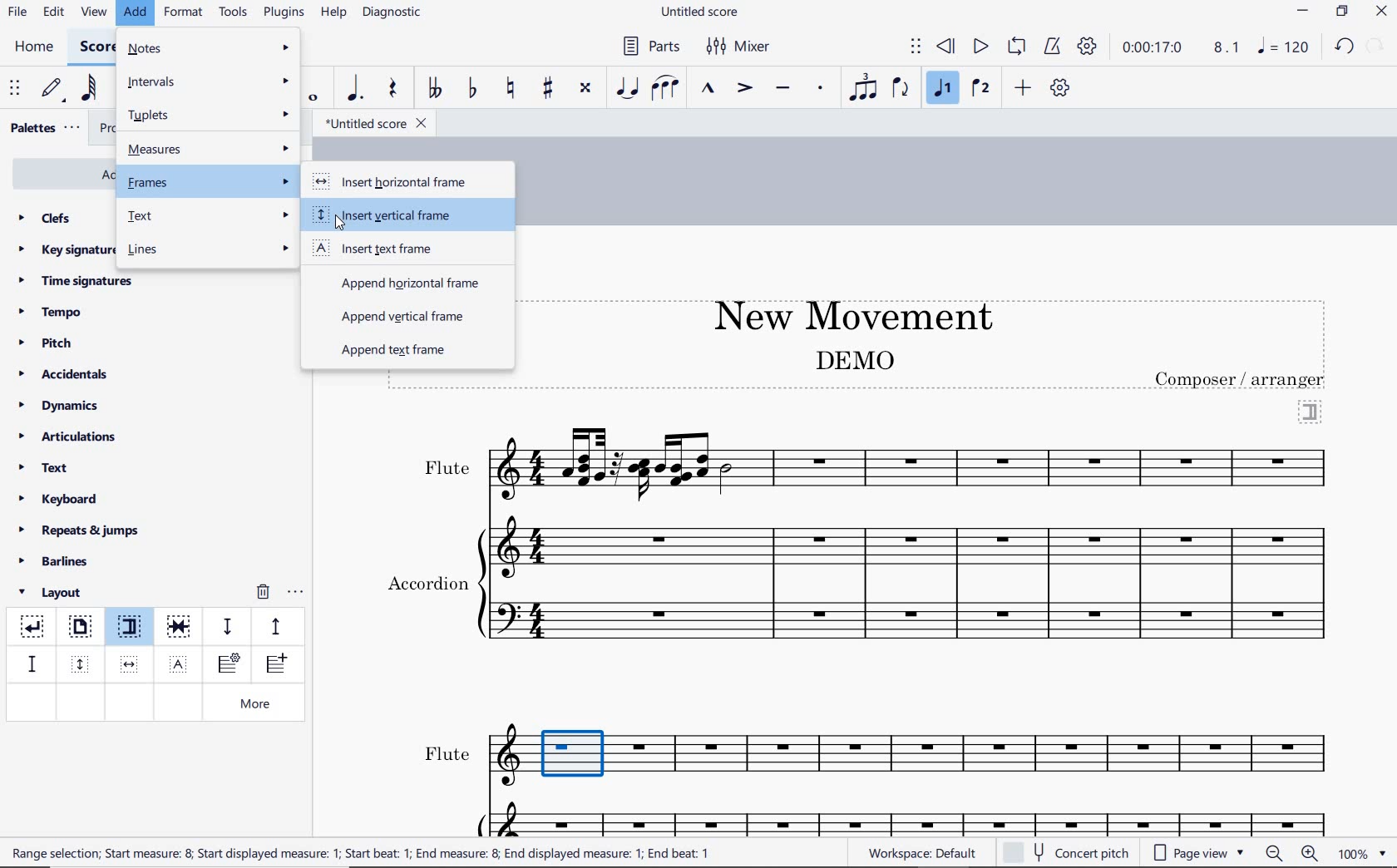 The width and height of the screenshot is (1397, 868). Describe the element at coordinates (1313, 855) in the screenshot. I see `zoom in` at that location.